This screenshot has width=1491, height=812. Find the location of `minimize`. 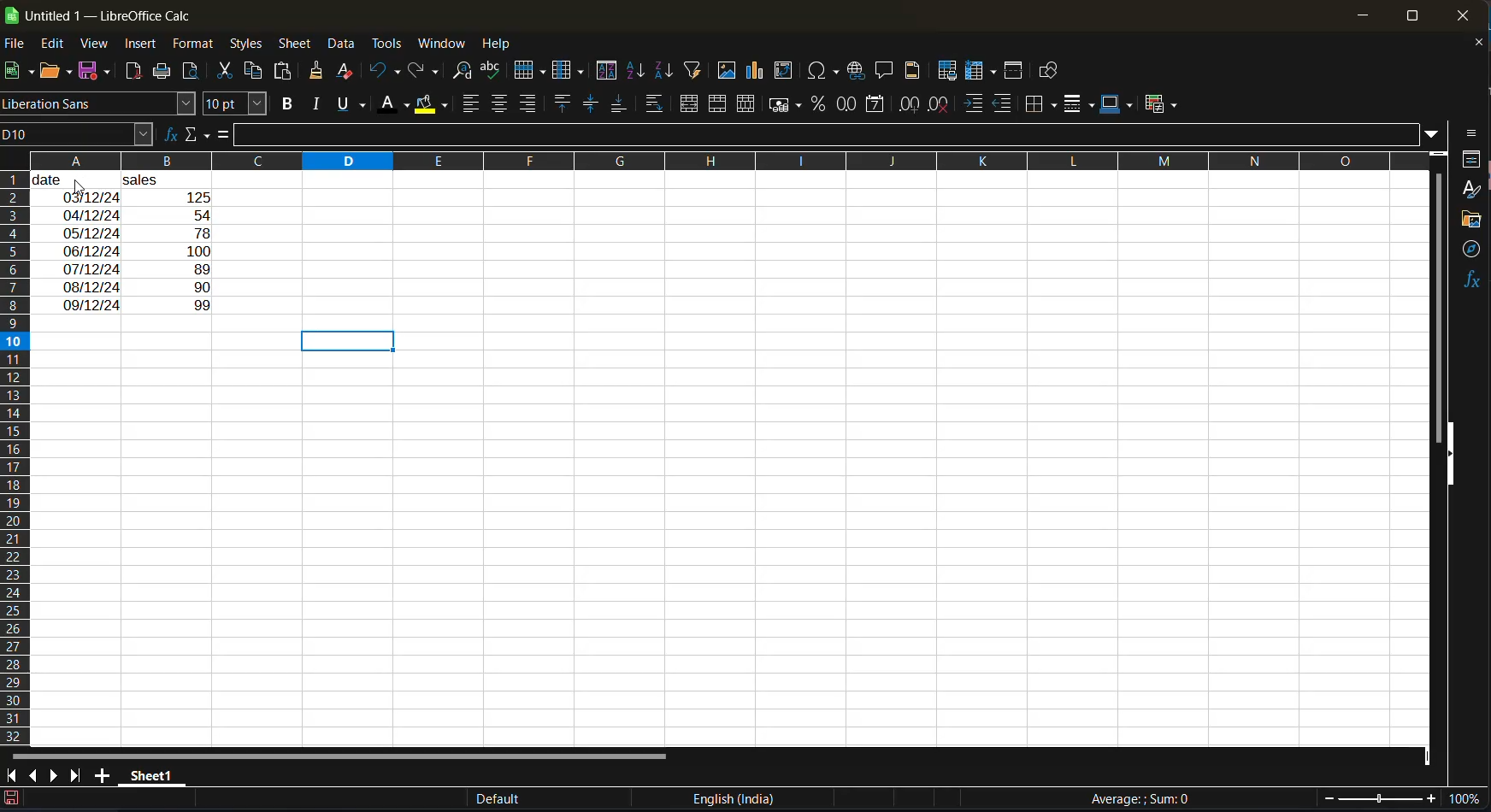

minimize is located at coordinates (1362, 16).